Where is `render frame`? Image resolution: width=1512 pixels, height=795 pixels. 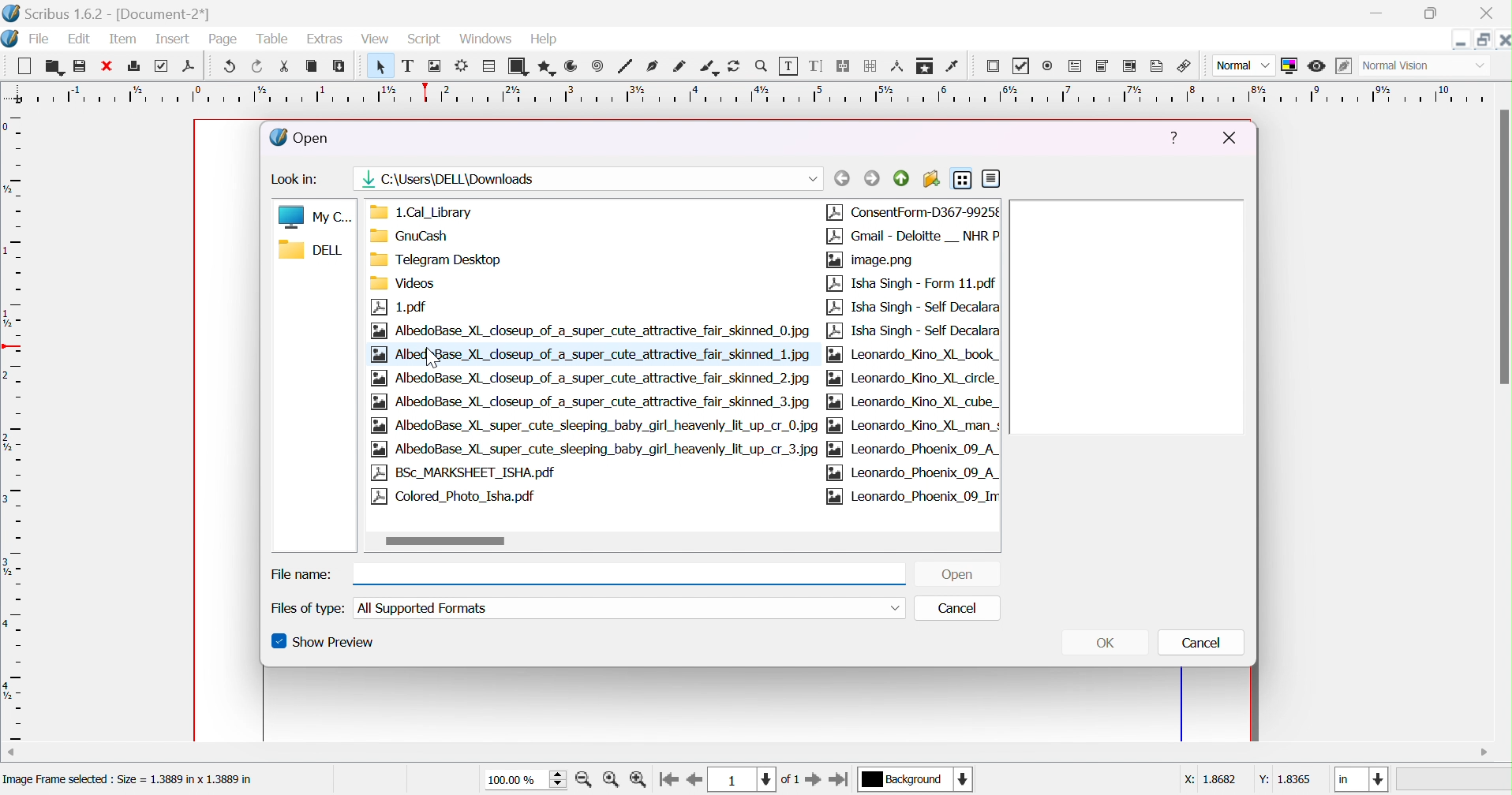 render frame is located at coordinates (462, 65).